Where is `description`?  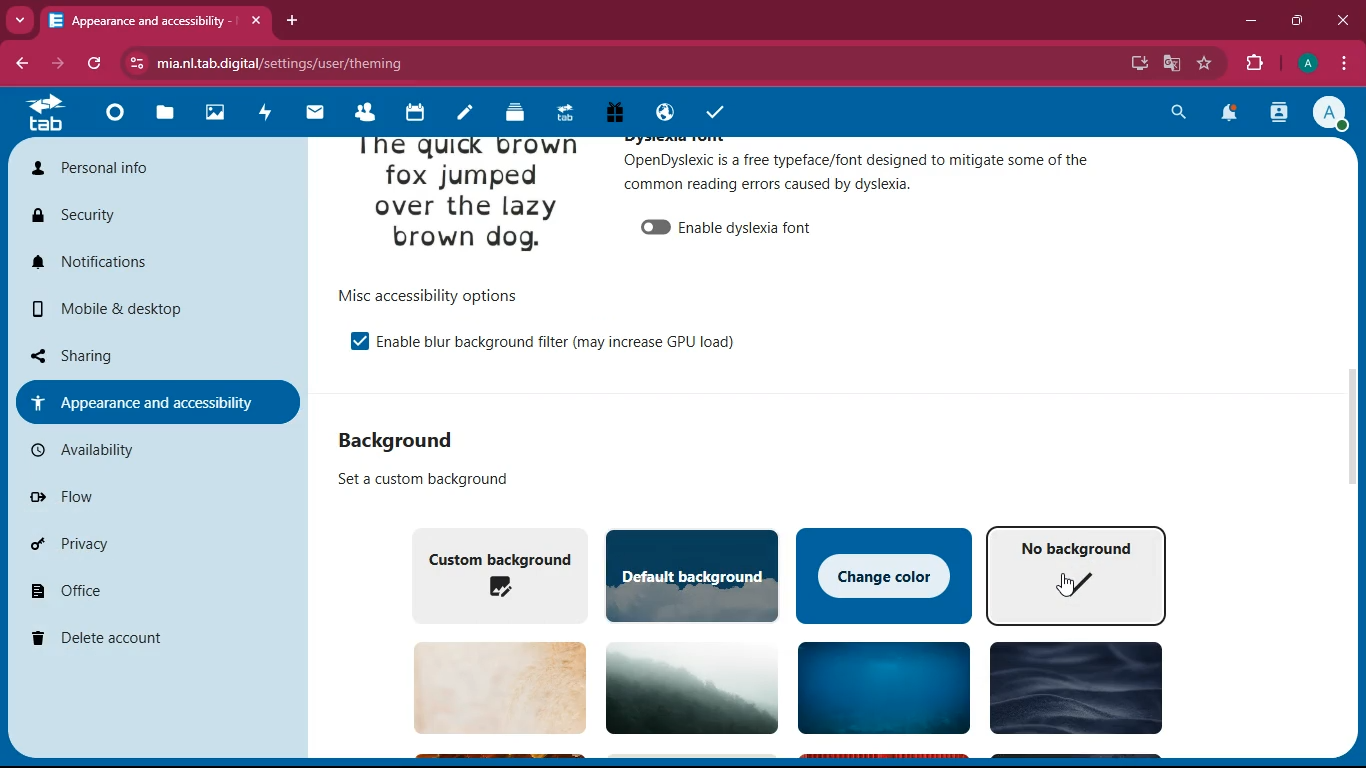 description is located at coordinates (859, 171).